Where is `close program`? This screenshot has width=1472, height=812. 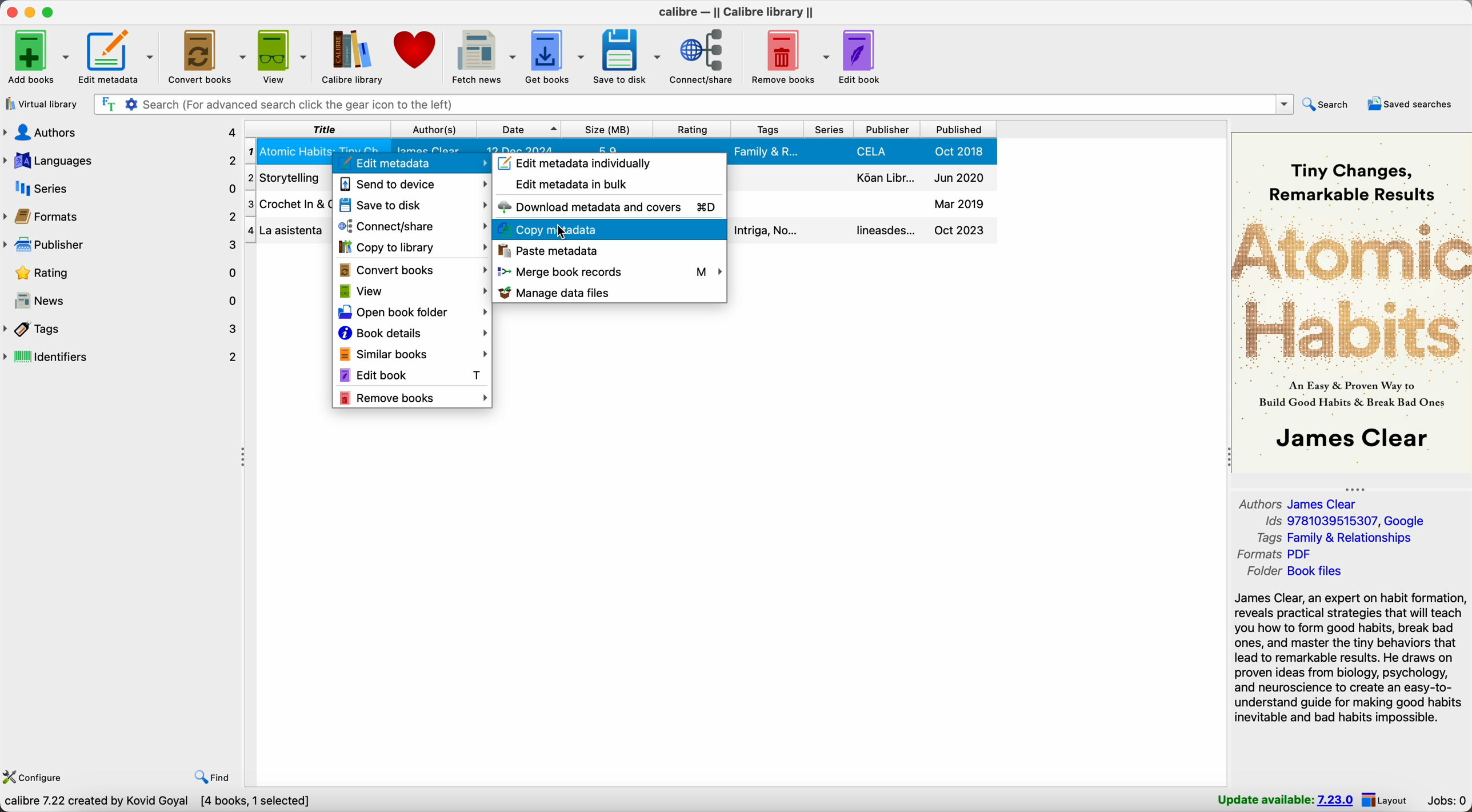 close program is located at coordinates (10, 12).